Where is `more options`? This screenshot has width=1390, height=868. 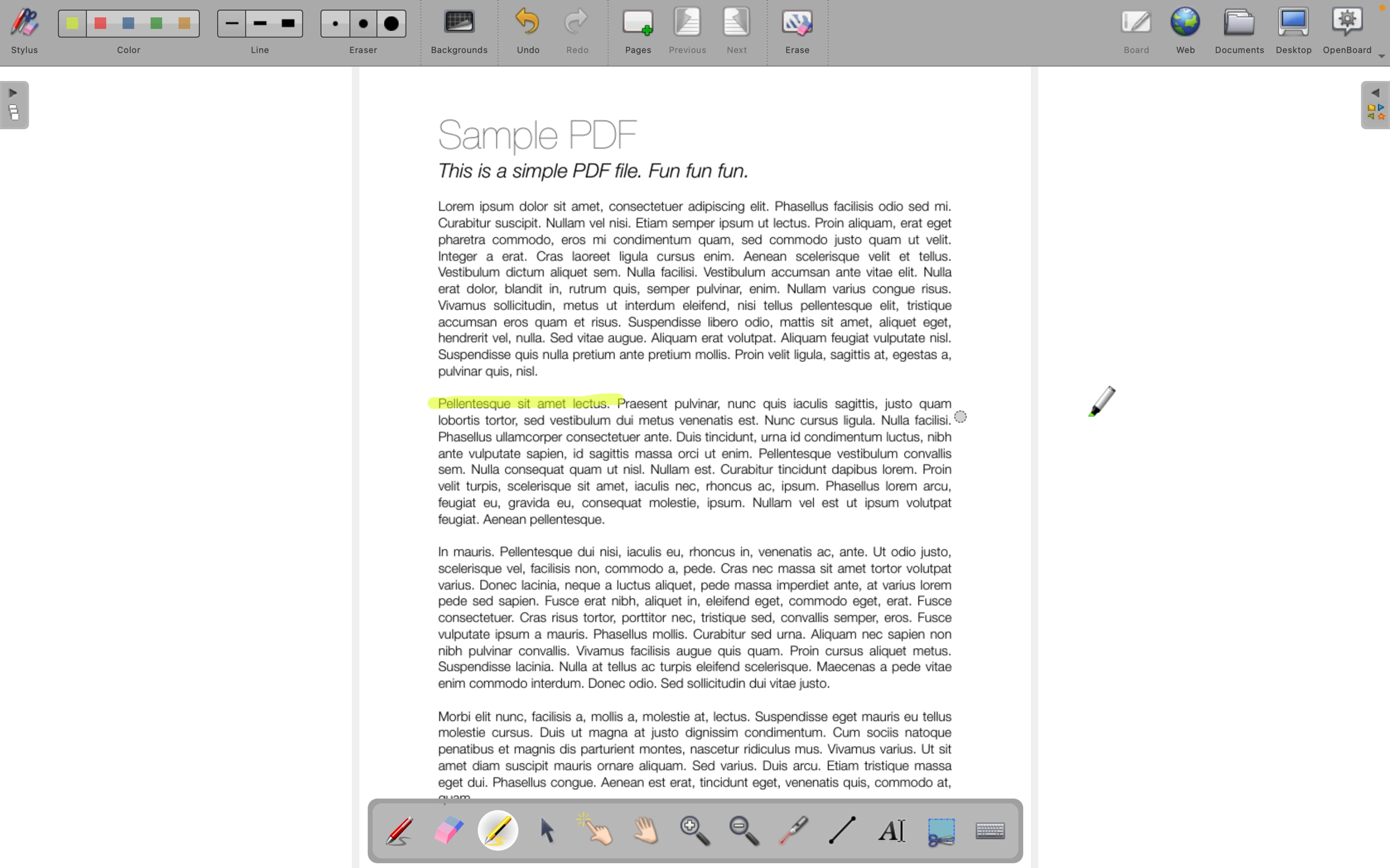
more options is located at coordinates (1379, 61).